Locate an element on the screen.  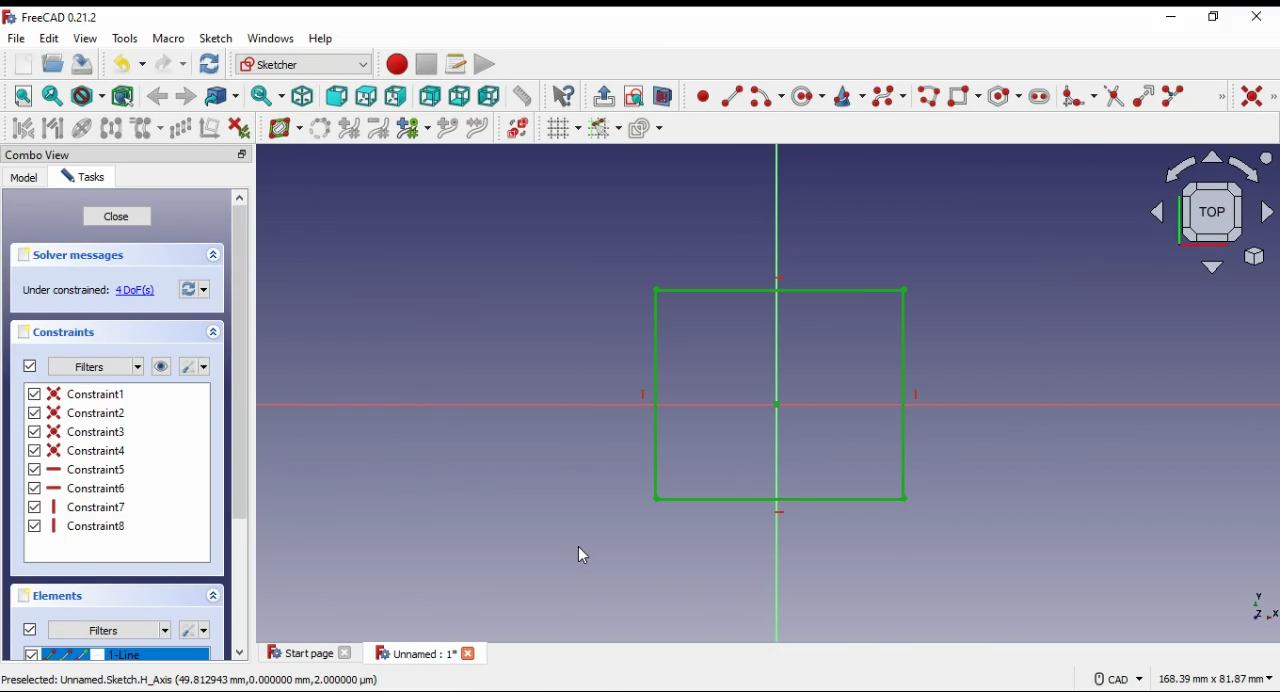
draw style is located at coordinates (89, 96).